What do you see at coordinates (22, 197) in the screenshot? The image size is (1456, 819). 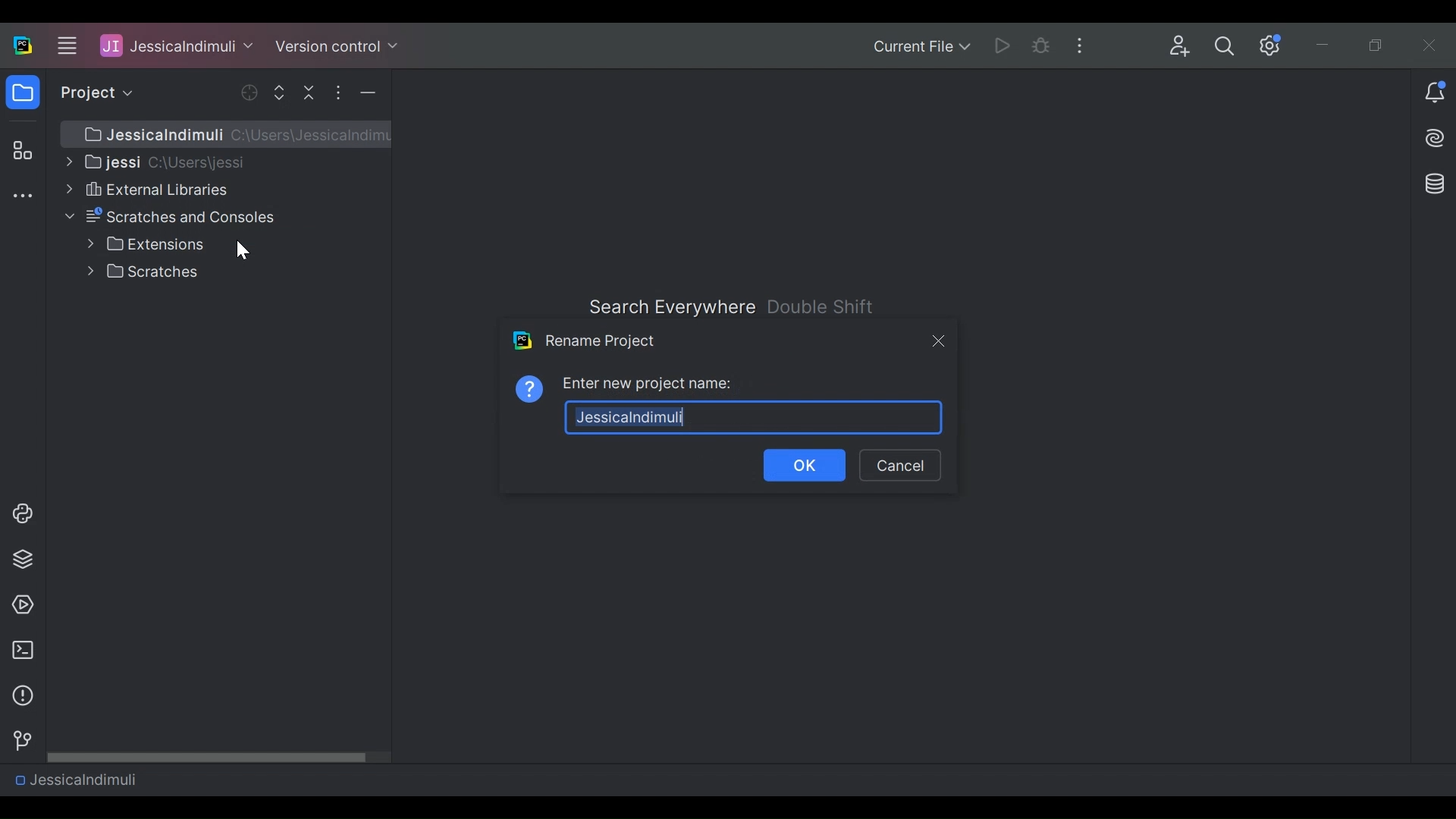 I see `More tool windows` at bounding box center [22, 197].